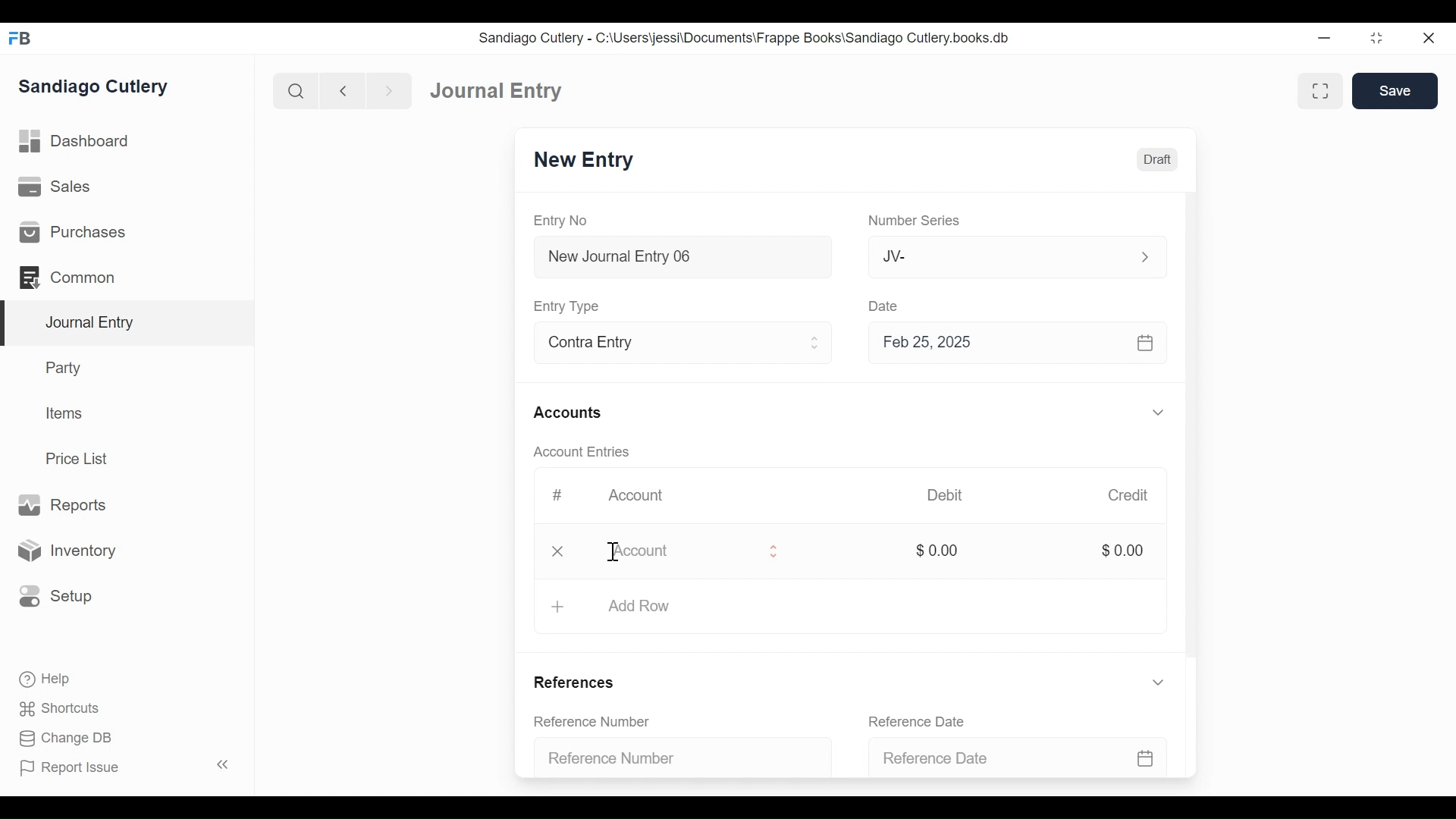 This screenshot has width=1456, height=819. Describe the element at coordinates (561, 221) in the screenshot. I see `Entry No` at that location.